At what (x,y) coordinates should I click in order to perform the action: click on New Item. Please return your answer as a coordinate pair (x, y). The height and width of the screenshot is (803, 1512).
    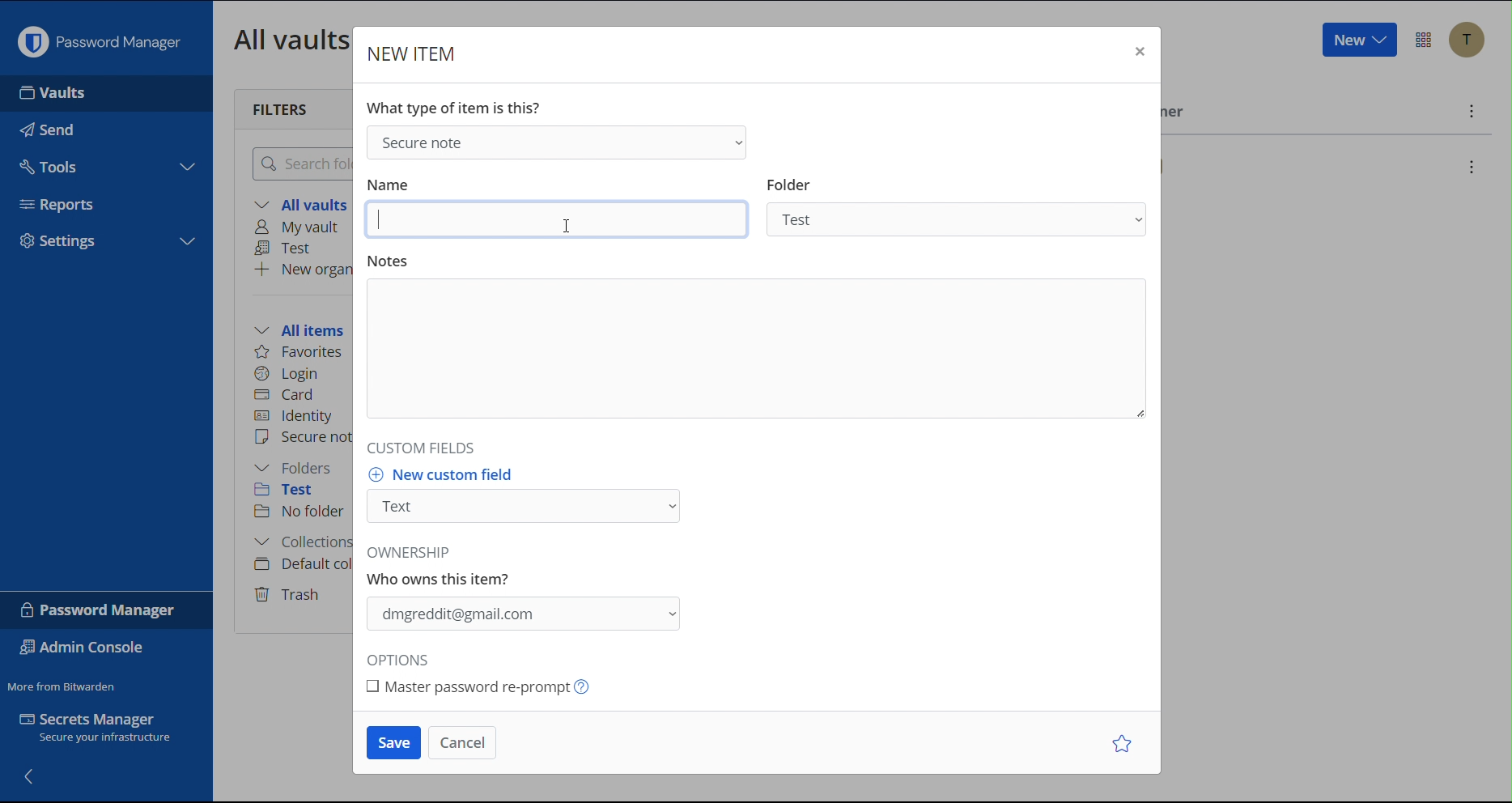
    Looking at the image, I should click on (414, 53).